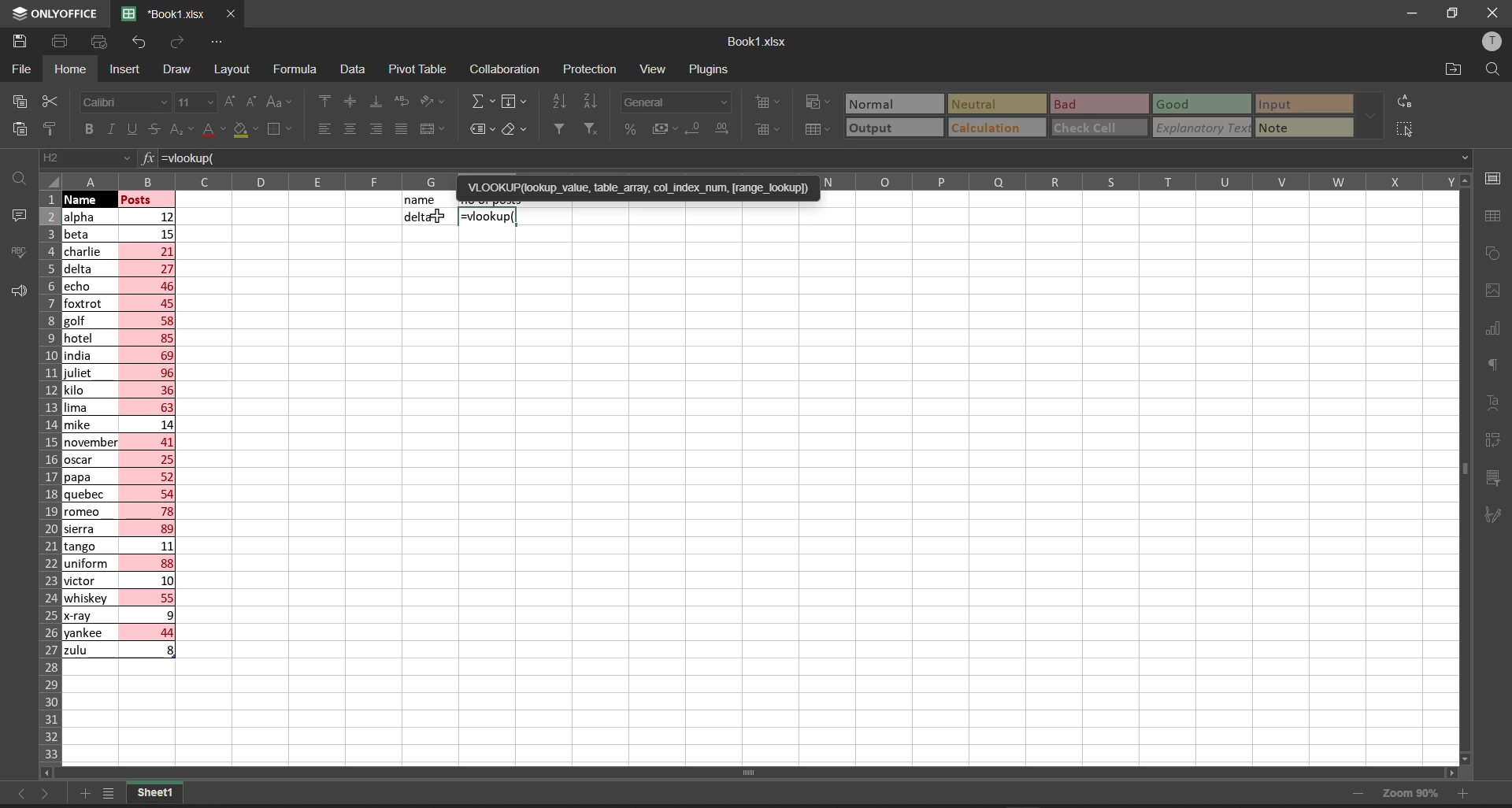  Describe the element at coordinates (323, 130) in the screenshot. I see `align left` at that location.